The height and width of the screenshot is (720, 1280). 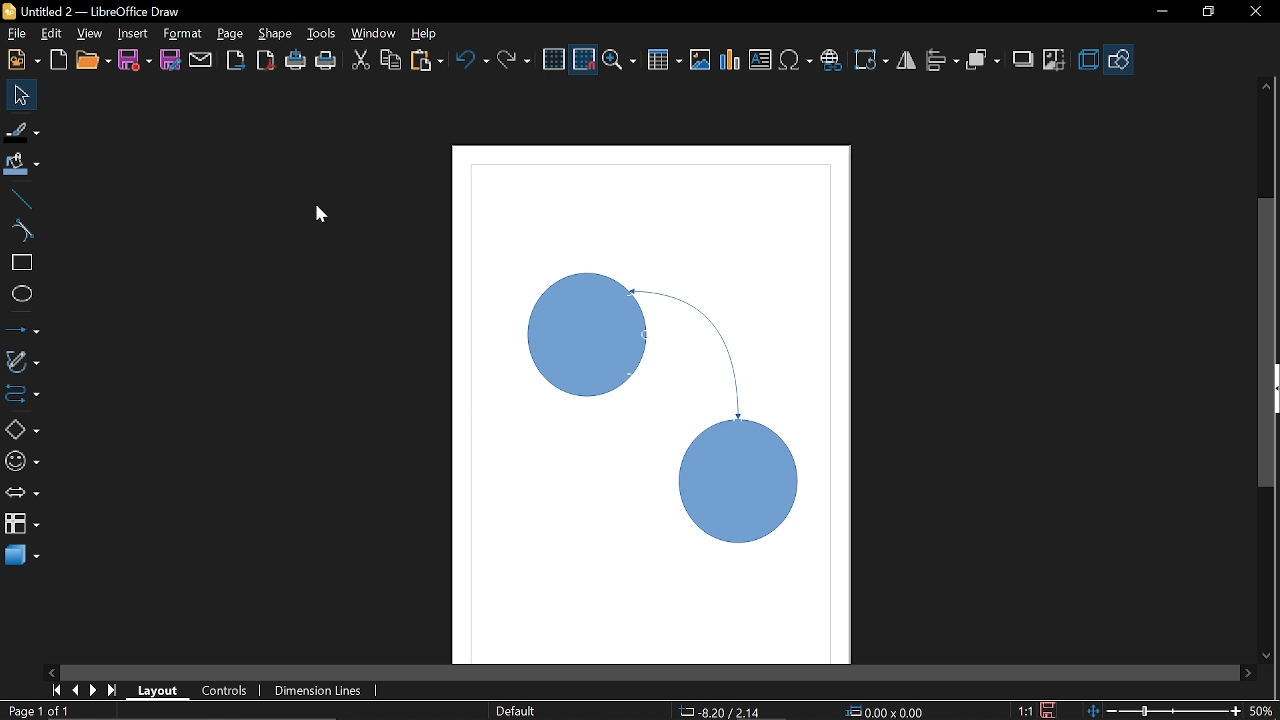 What do you see at coordinates (90, 32) in the screenshot?
I see `View` at bounding box center [90, 32].